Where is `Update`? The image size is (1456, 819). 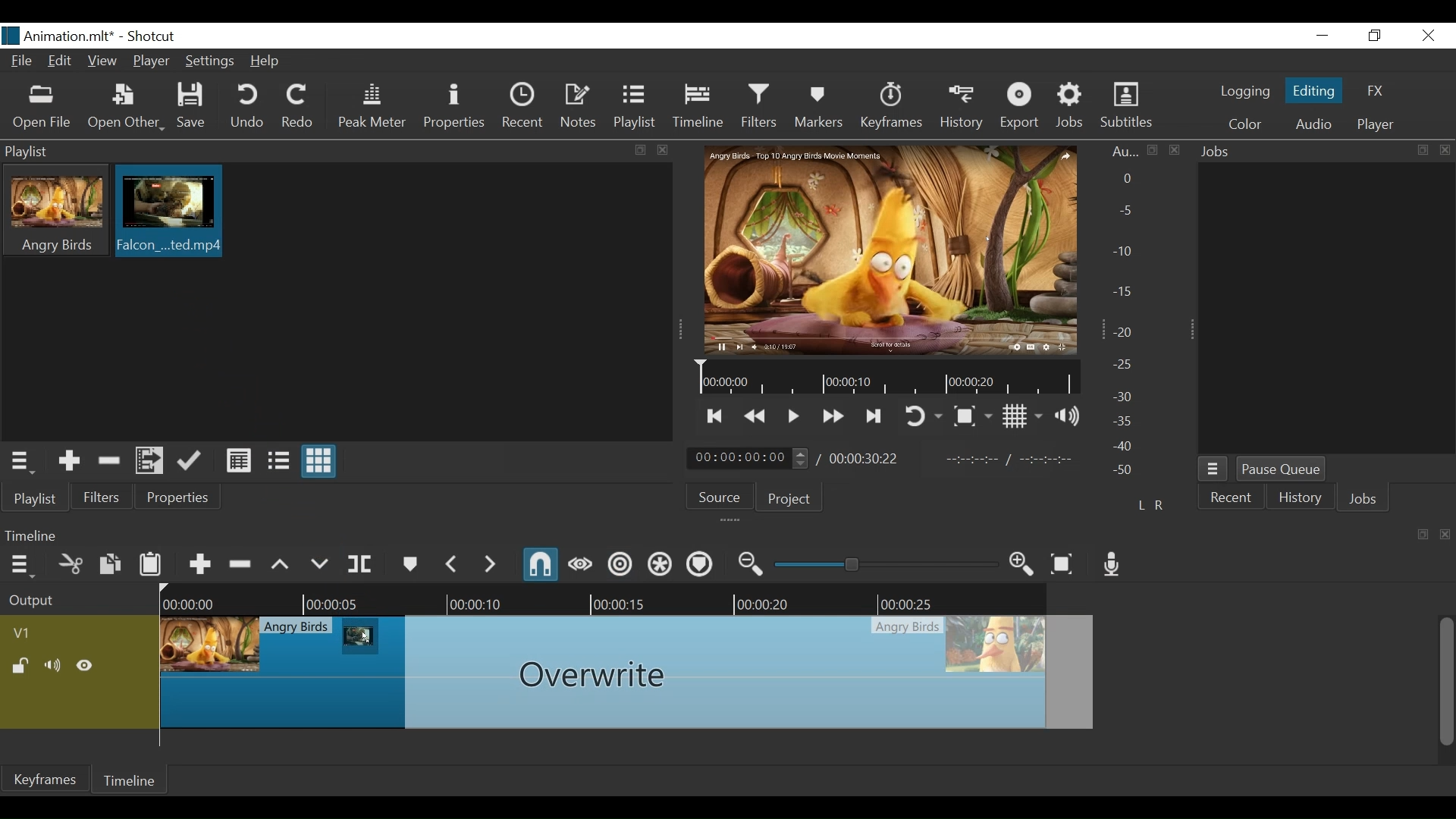
Update is located at coordinates (192, 461).